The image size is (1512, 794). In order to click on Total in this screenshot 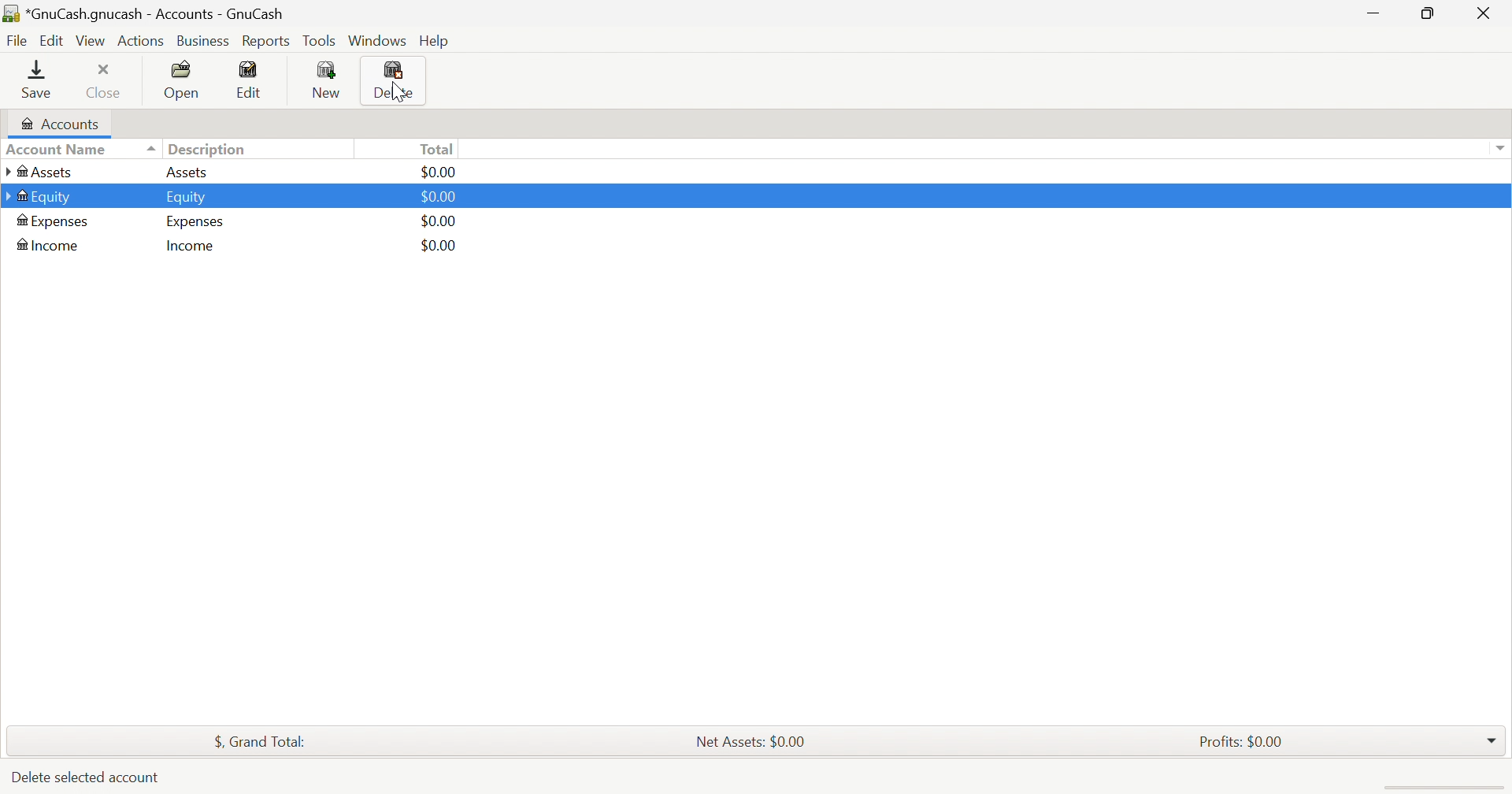, I will do `click(441, 149)`.